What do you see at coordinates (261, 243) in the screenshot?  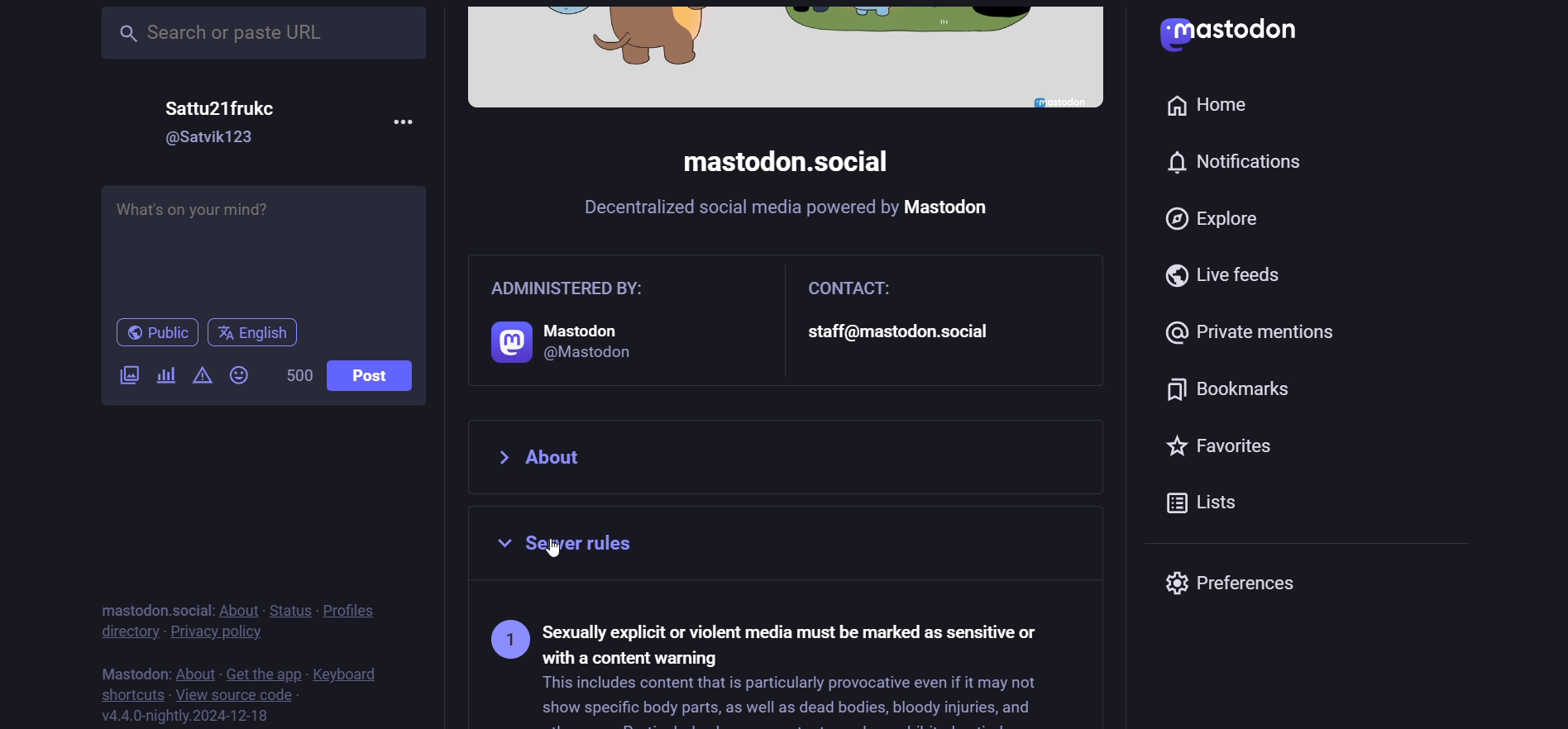 I see `post here` at bounding box center [261, 243].